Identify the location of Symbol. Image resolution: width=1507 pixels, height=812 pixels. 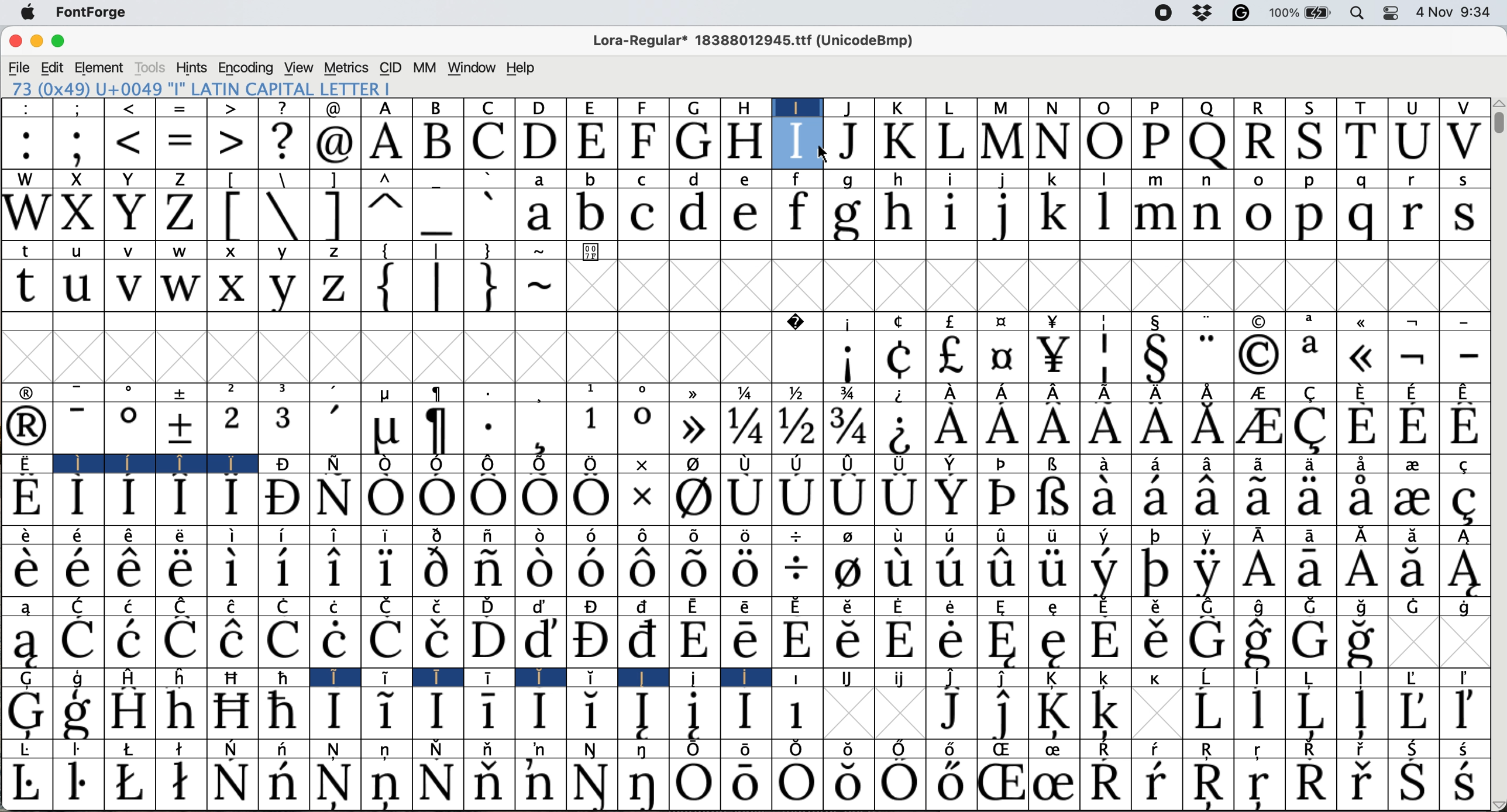
(1107, 607).